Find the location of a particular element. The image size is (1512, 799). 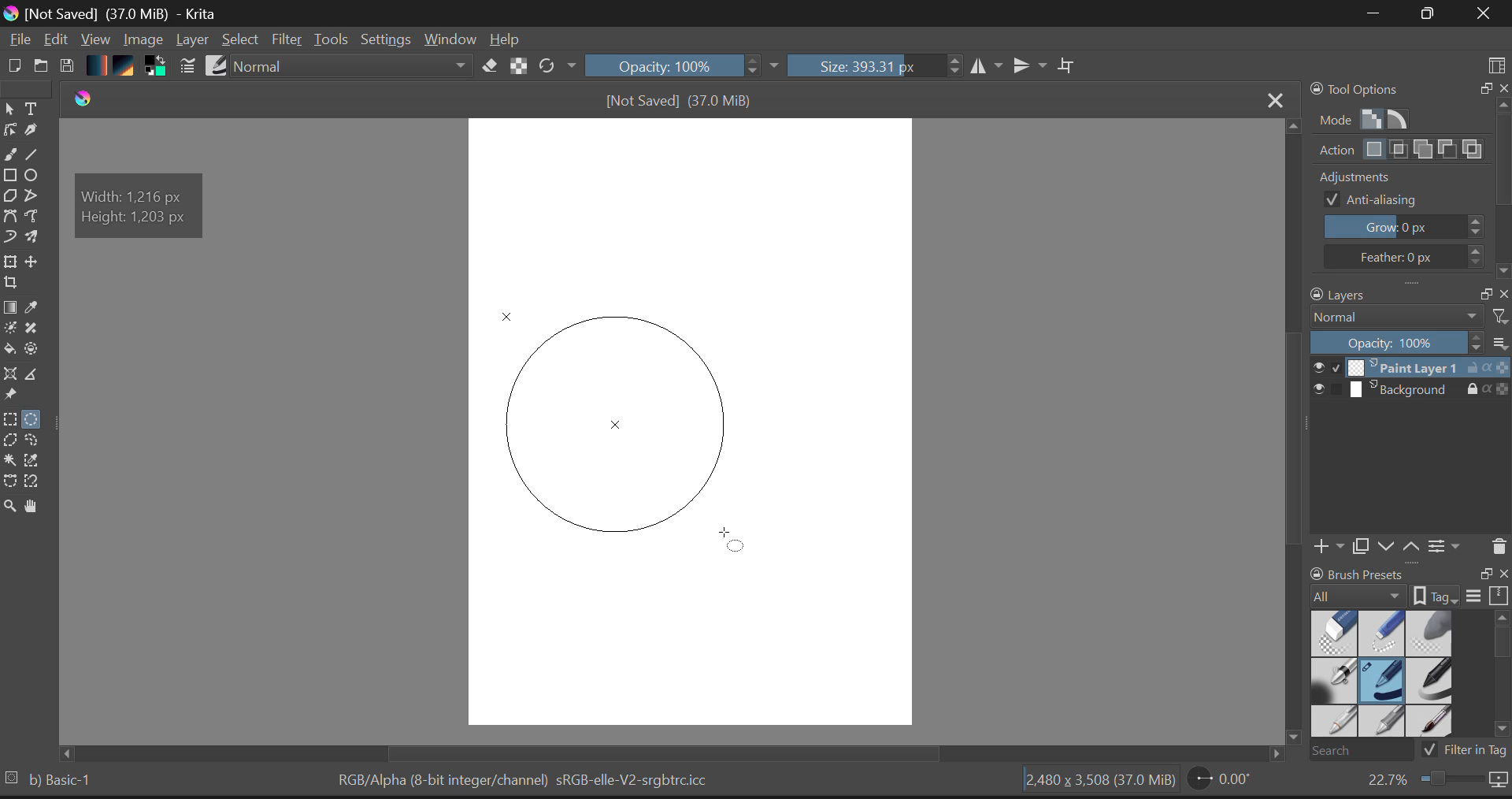

Magnetic Selection is located at coordinates (37, 483).